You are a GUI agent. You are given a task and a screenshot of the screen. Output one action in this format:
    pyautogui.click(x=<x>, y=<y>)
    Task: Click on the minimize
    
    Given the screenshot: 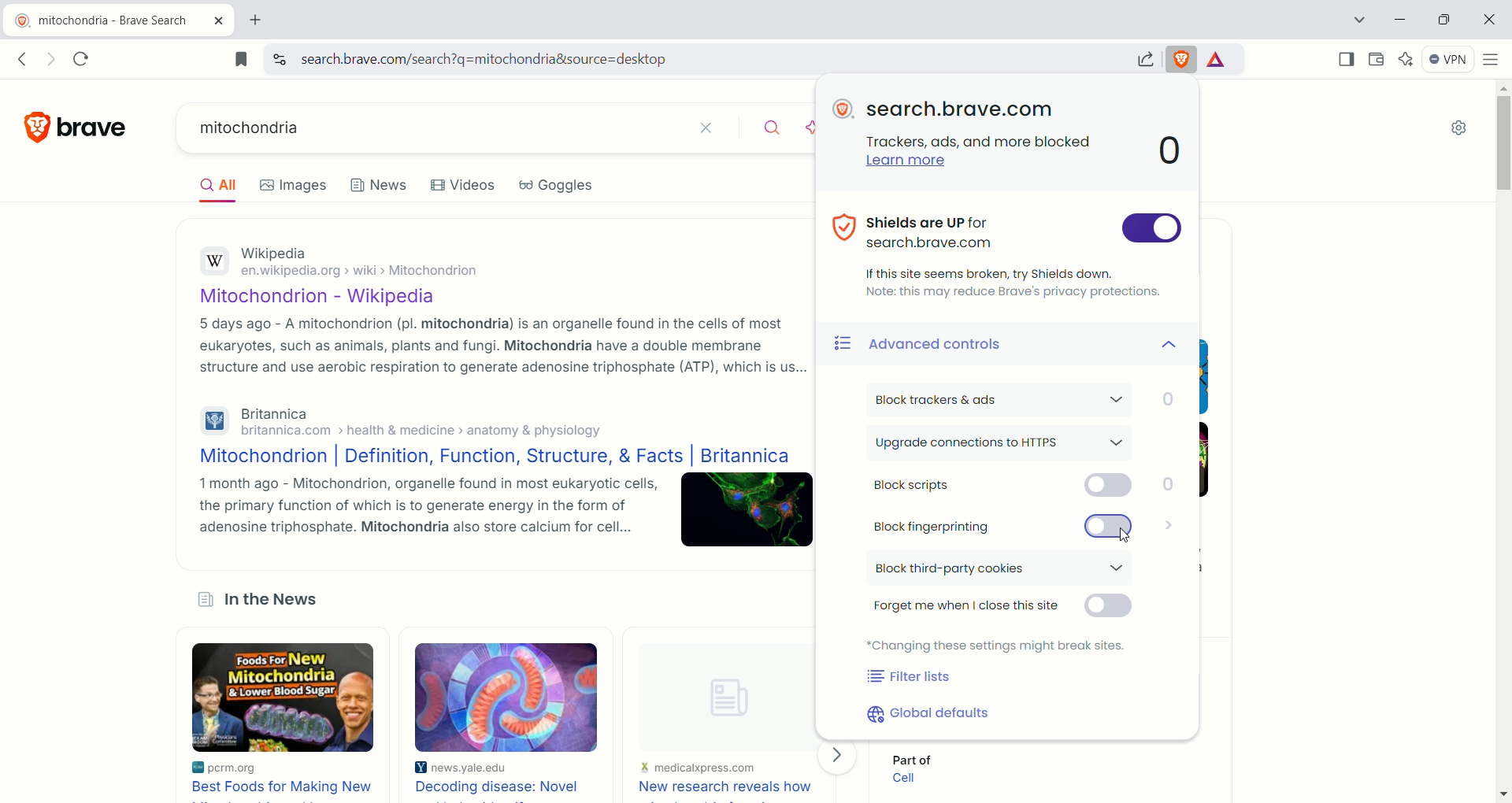 What is the action you would take?
    pyautogui.click(x=1405, y=18)
    